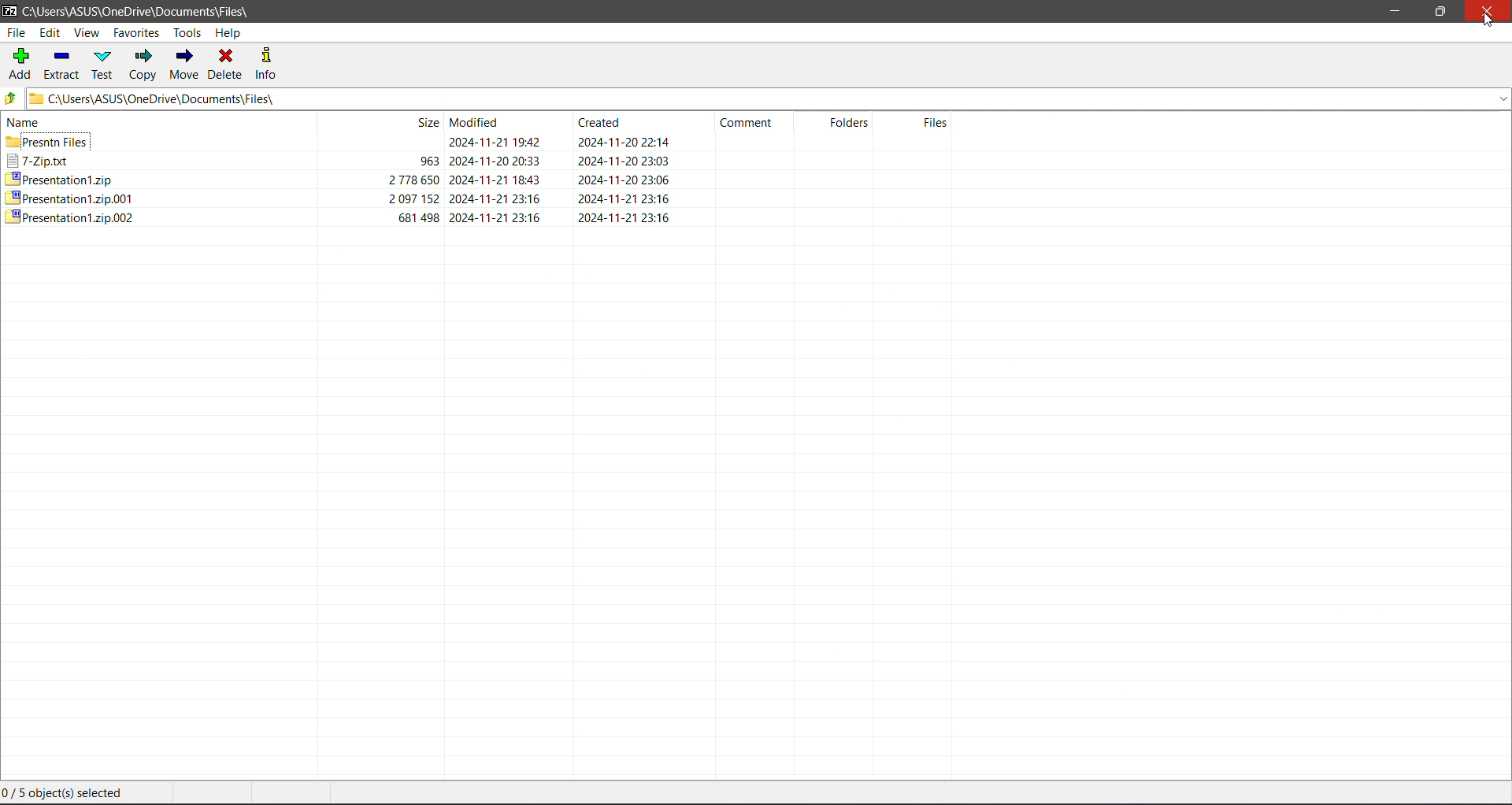  I want to click on Delete, so click(225, 65).